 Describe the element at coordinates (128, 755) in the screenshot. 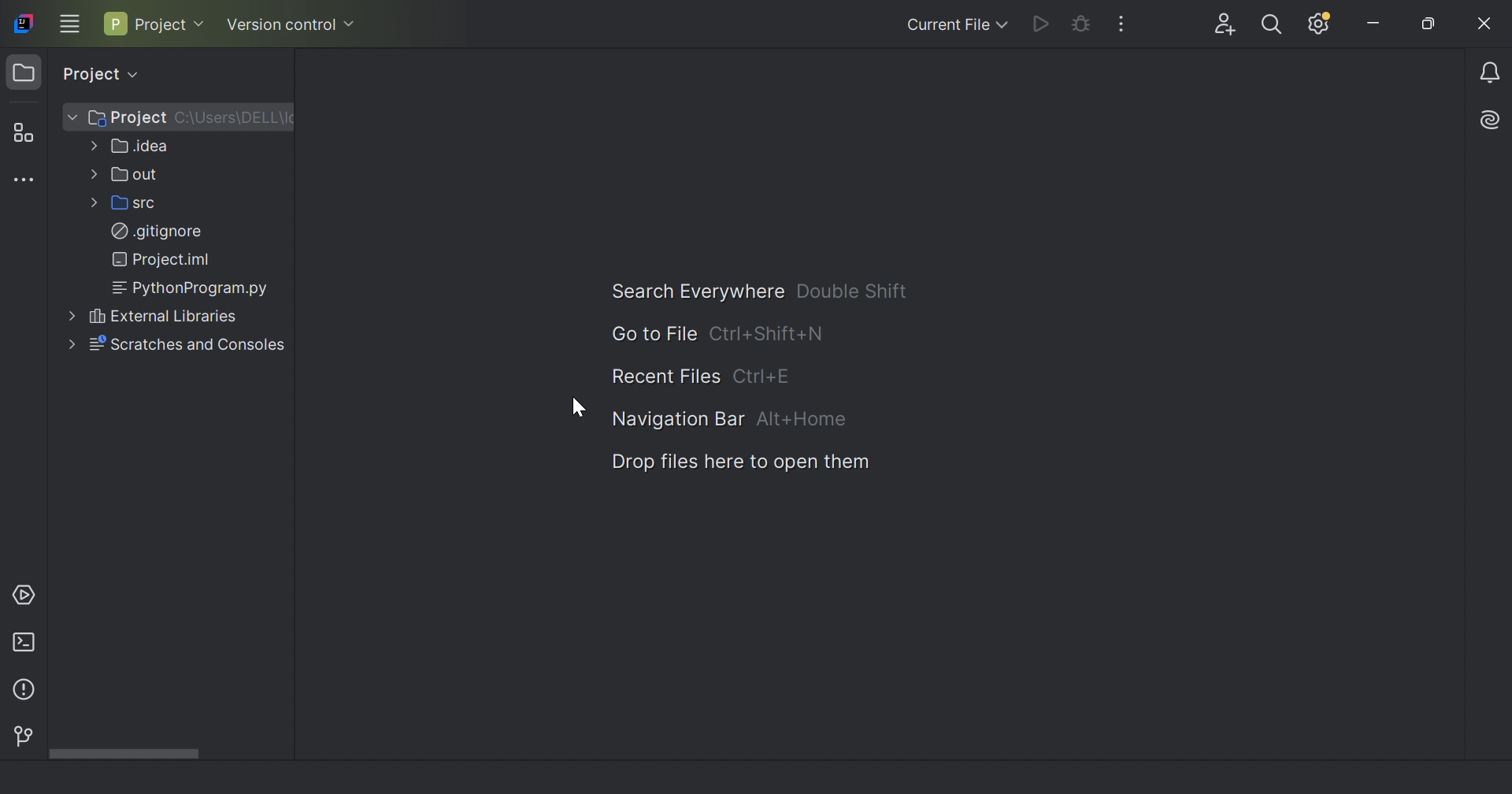

I see `Scroll bar` at that location.